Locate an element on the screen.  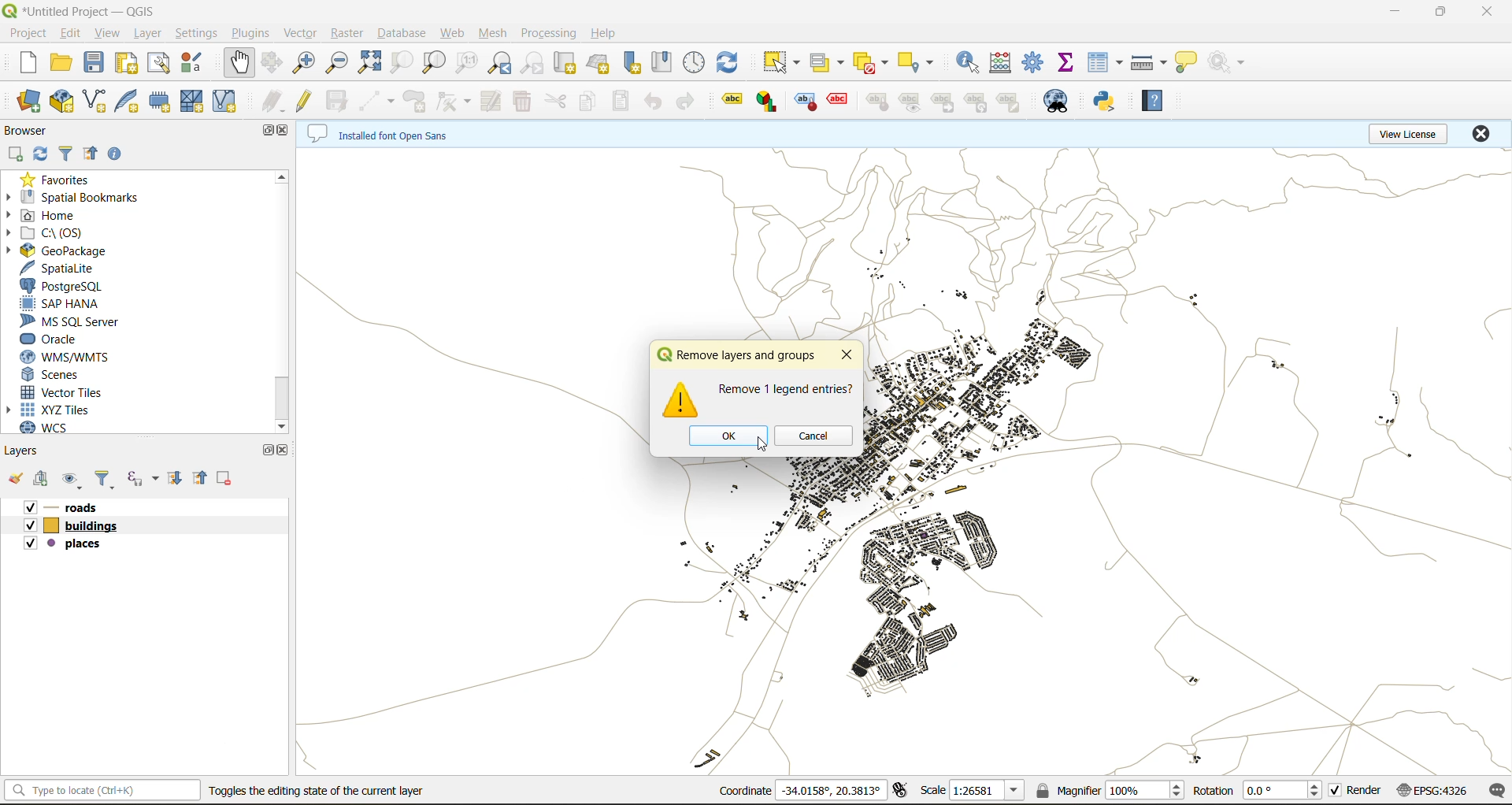
vector is located at coordinates (298, 33).